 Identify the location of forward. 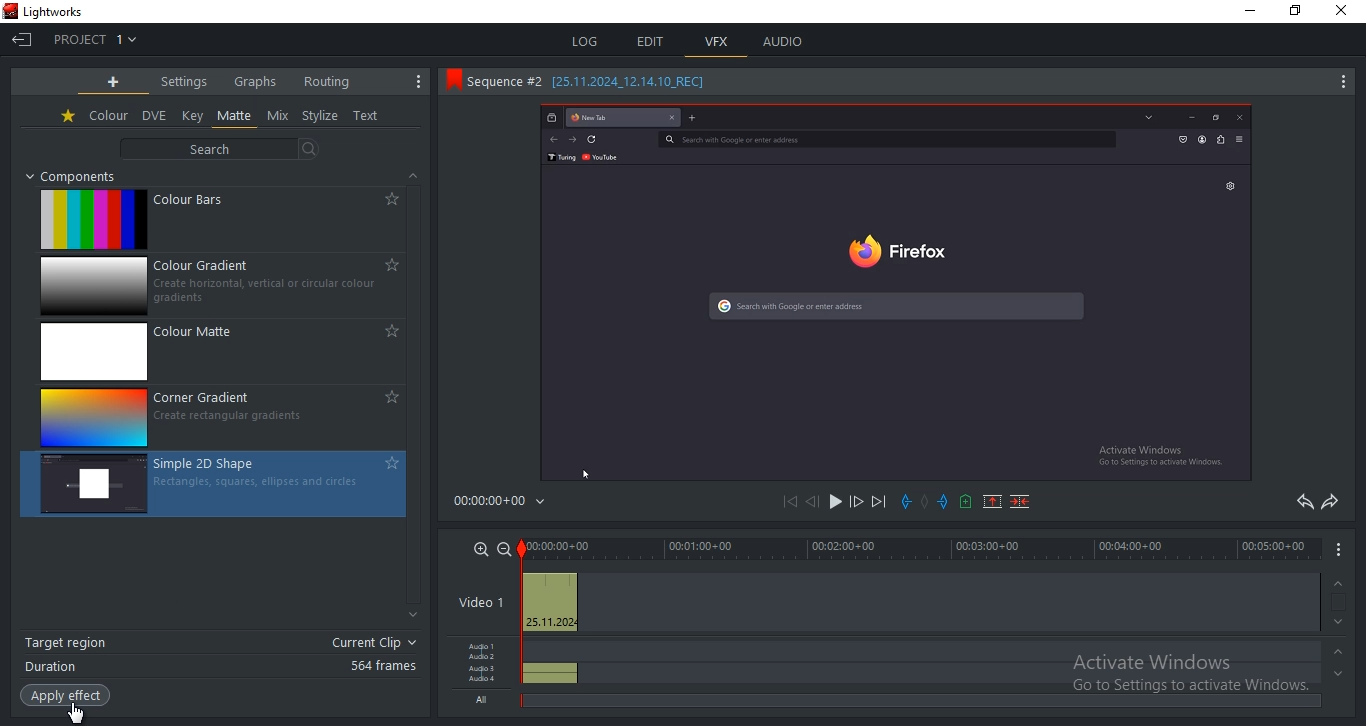
(856, 504).